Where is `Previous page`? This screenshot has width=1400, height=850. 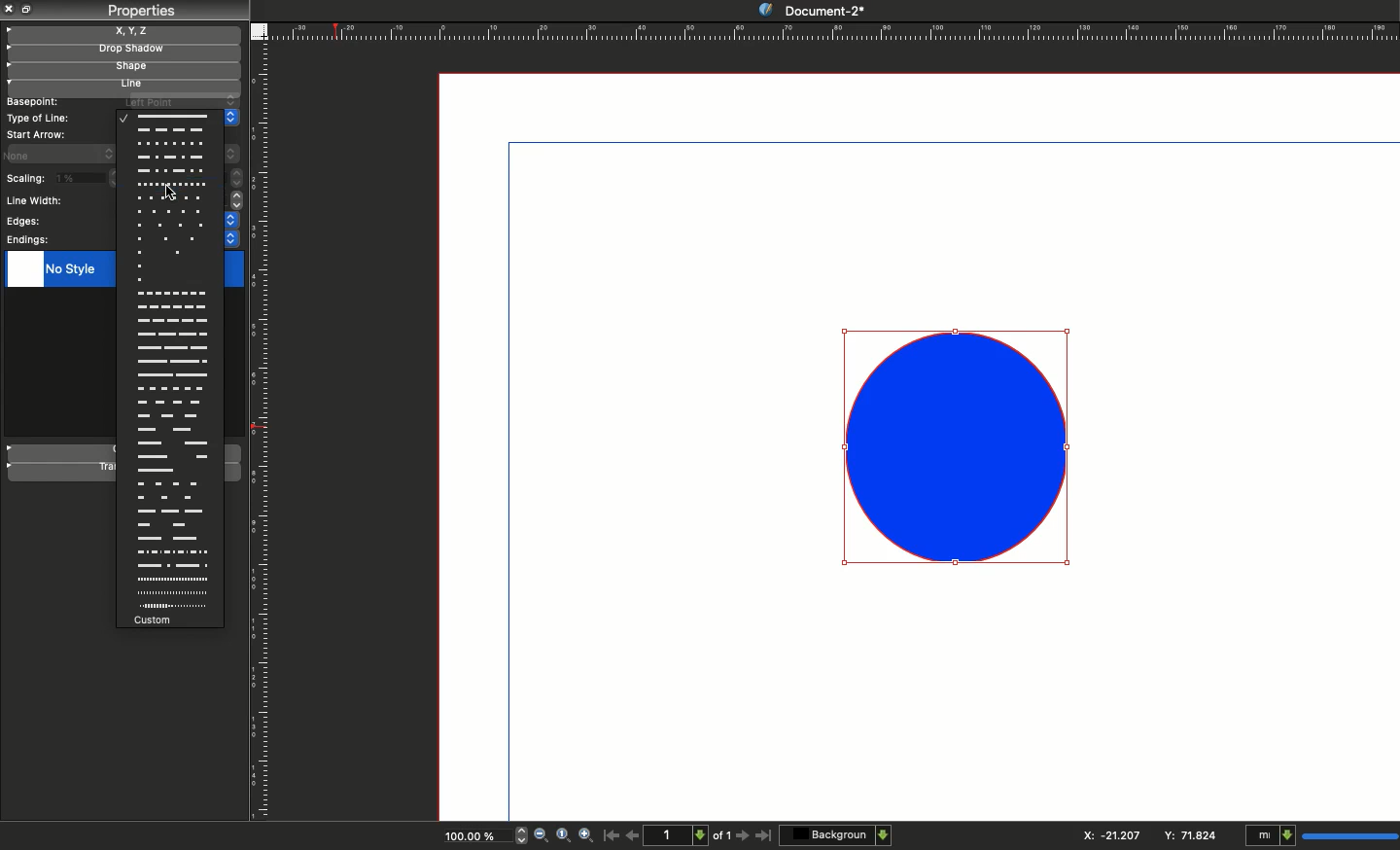
Previous page is located at coordinates (633, 834).